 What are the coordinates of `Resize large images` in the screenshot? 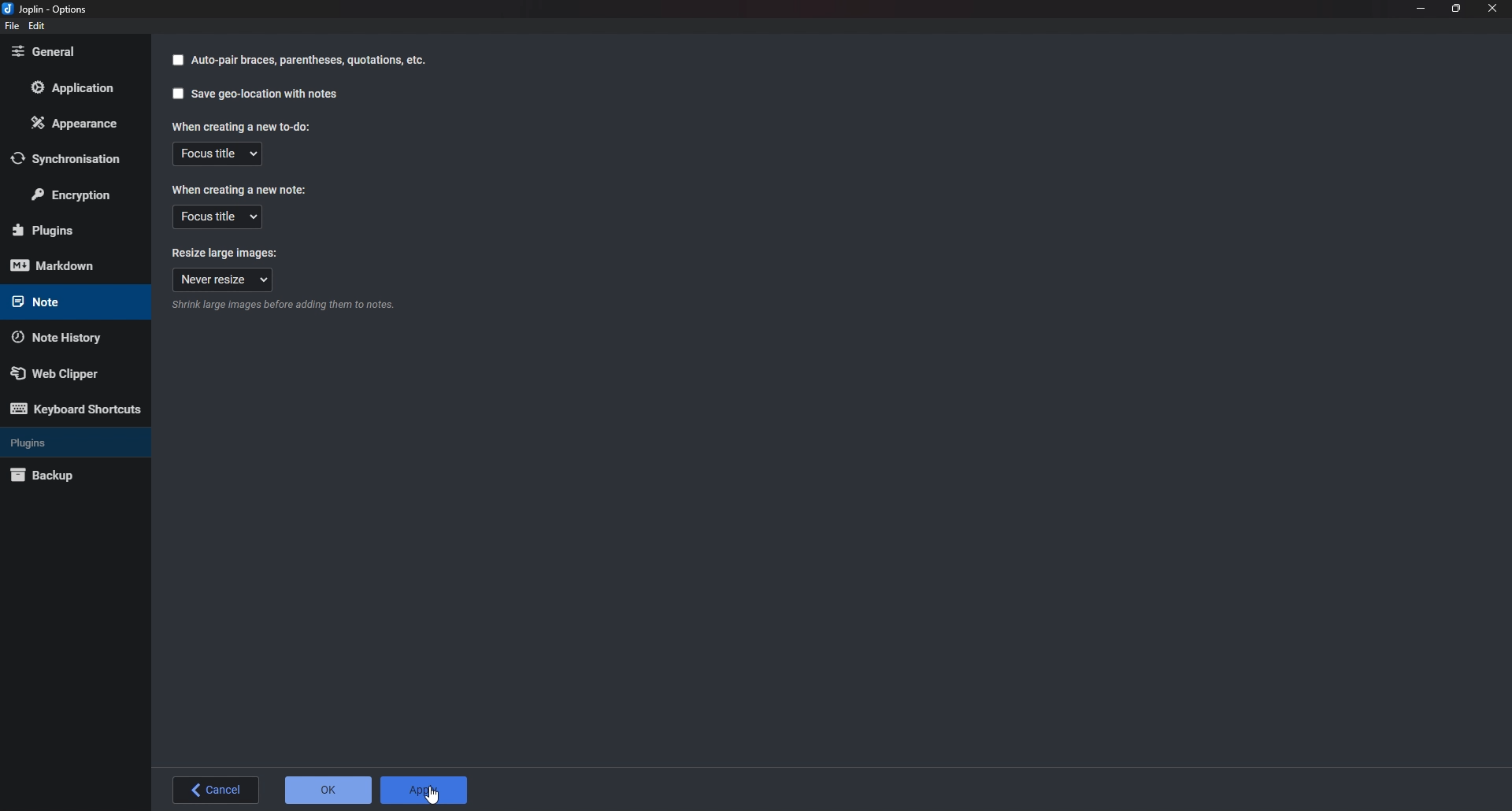 It's located at (227, 253).